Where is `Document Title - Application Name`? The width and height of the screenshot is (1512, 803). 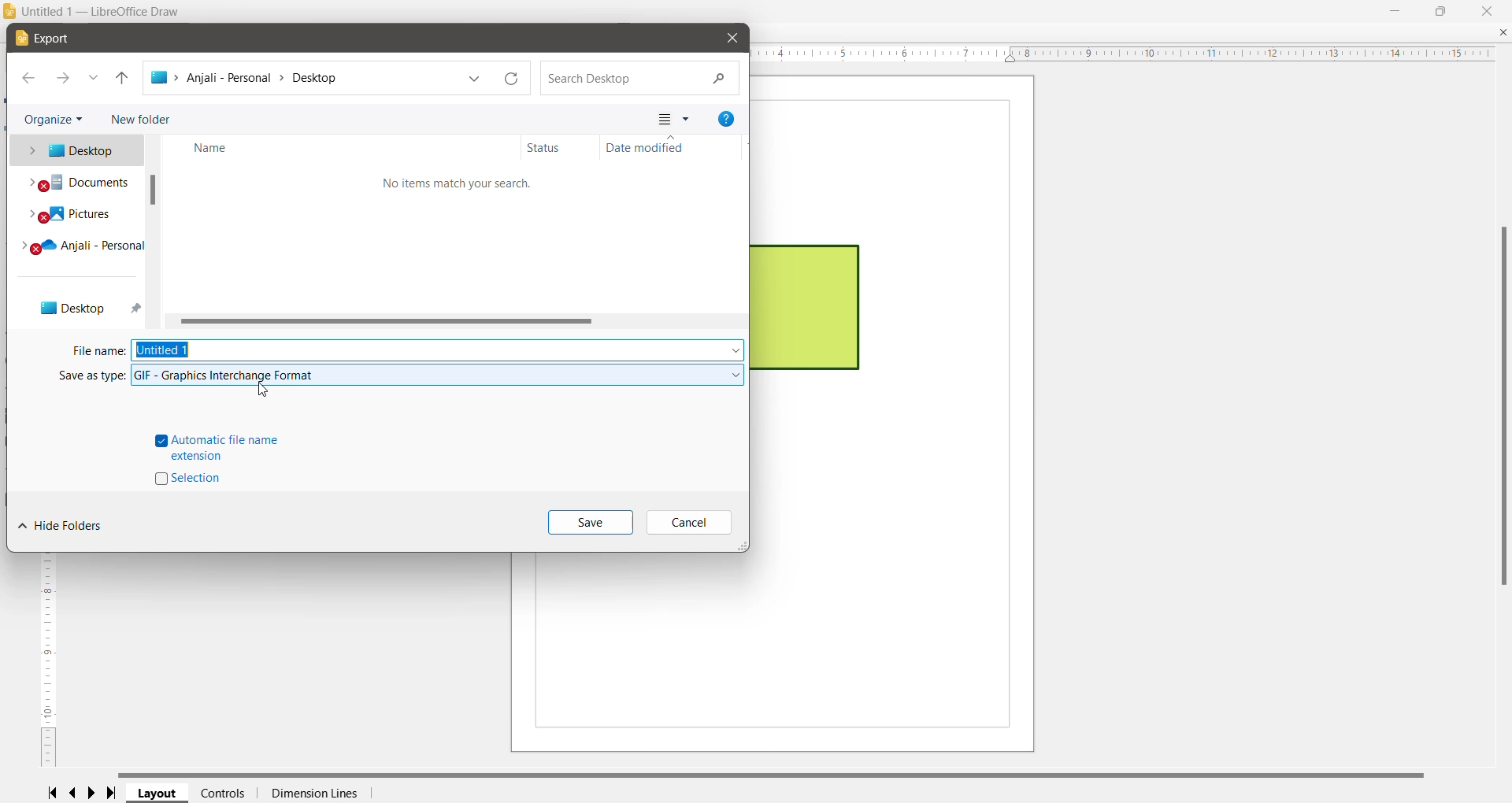 Document Title - Application Name is located at coordinates (106, 12).